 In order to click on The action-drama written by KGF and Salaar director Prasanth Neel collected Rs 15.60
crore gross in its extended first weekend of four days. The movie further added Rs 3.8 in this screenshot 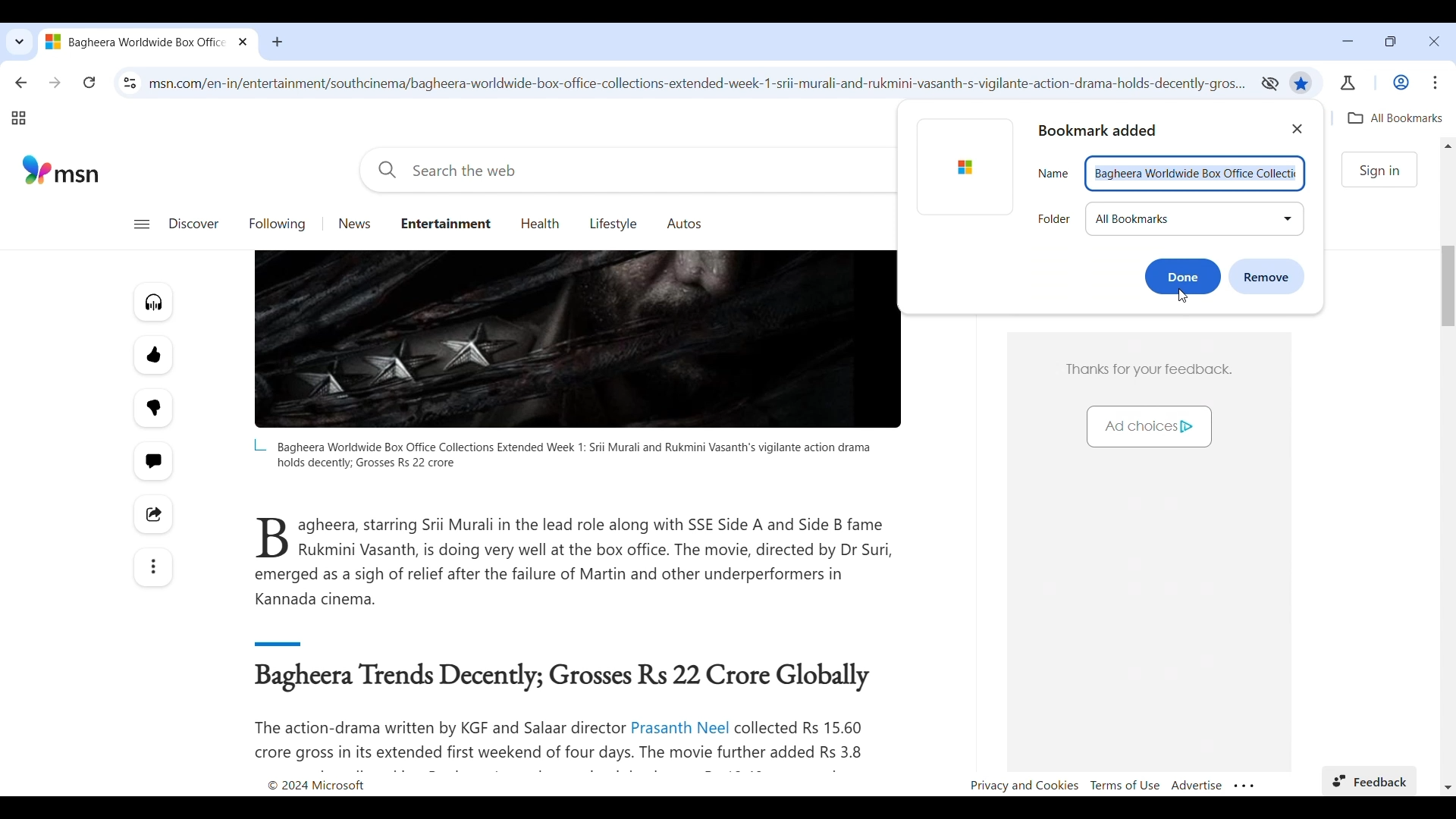, I will do `click(568, 741)`.